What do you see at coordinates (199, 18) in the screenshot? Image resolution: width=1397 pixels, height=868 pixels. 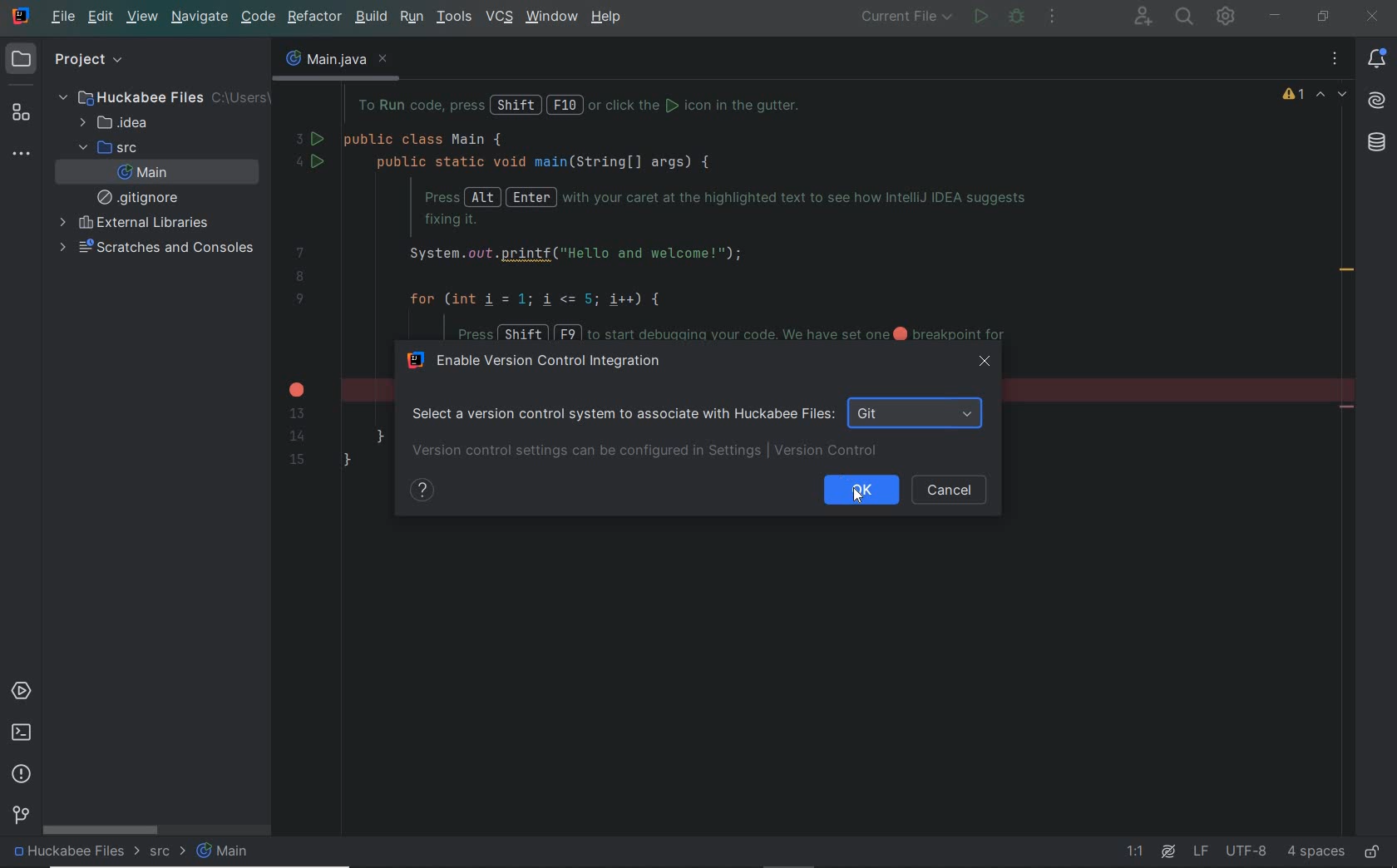 I see `navigate` at bounding box center [199, 18].